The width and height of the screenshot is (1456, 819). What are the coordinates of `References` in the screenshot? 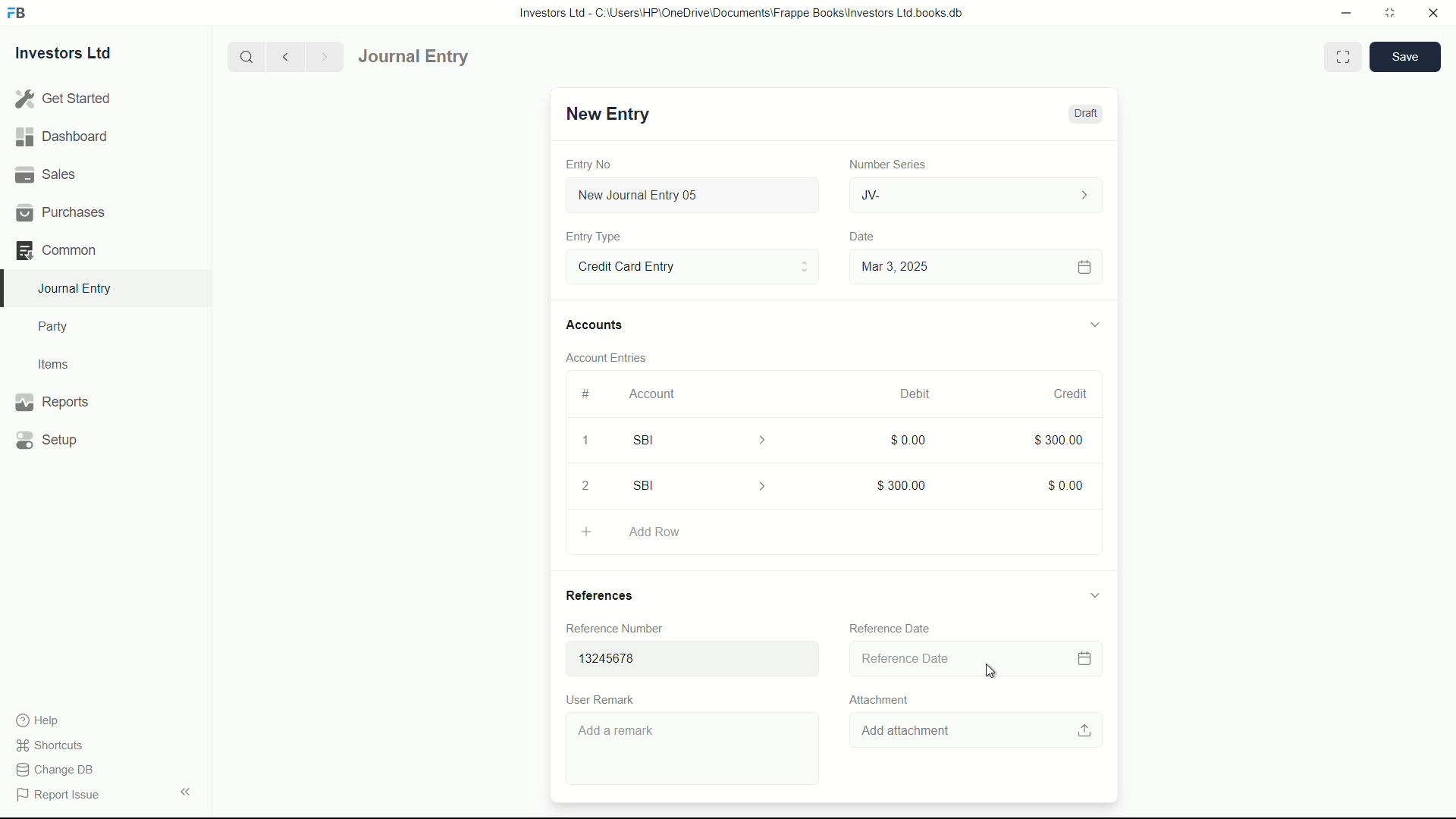 It's located at (614, 595).